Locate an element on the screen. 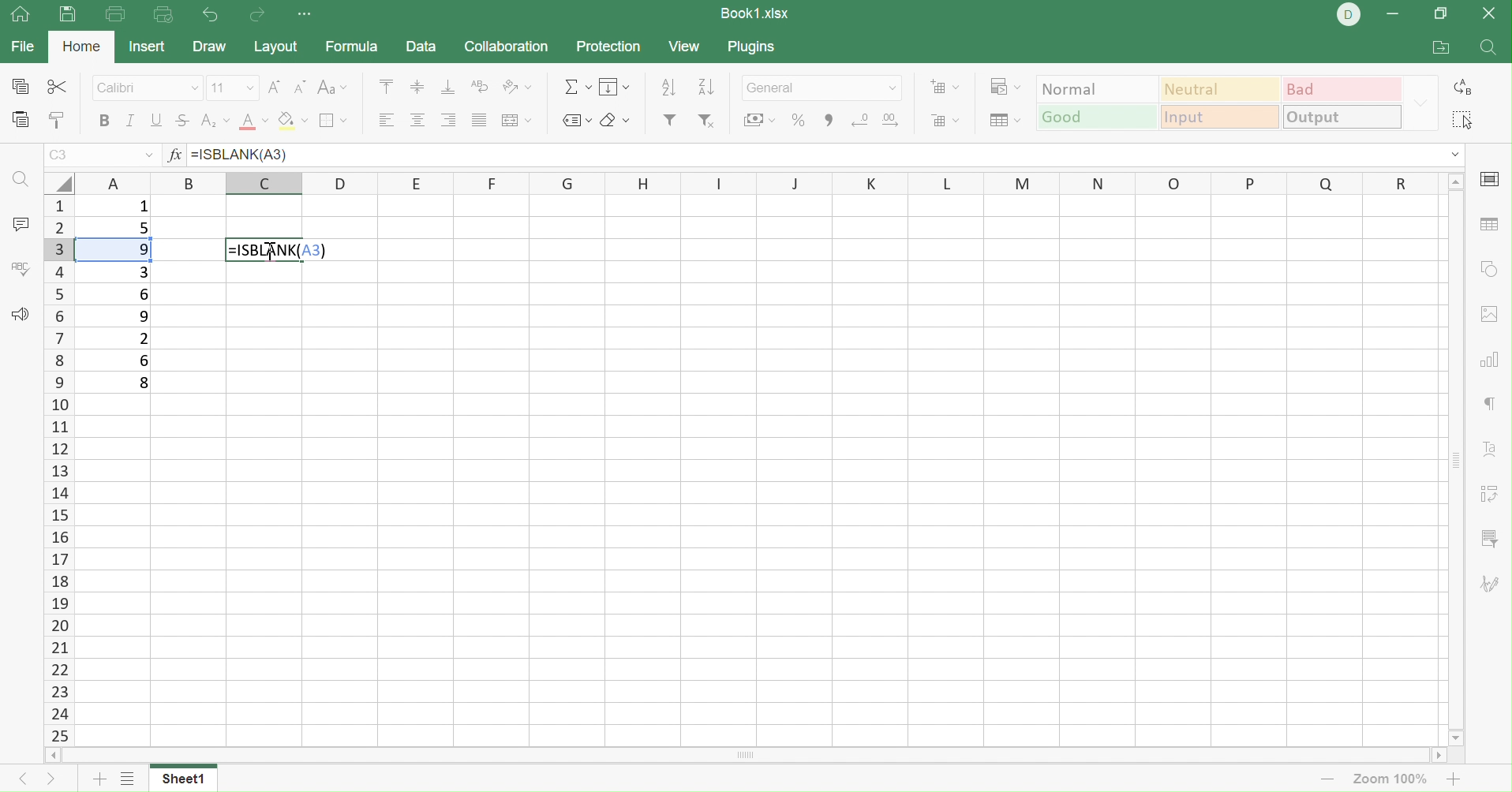 This screenshot has height=792, width=1512. Scroll down is located at coordinates (1458, 738).